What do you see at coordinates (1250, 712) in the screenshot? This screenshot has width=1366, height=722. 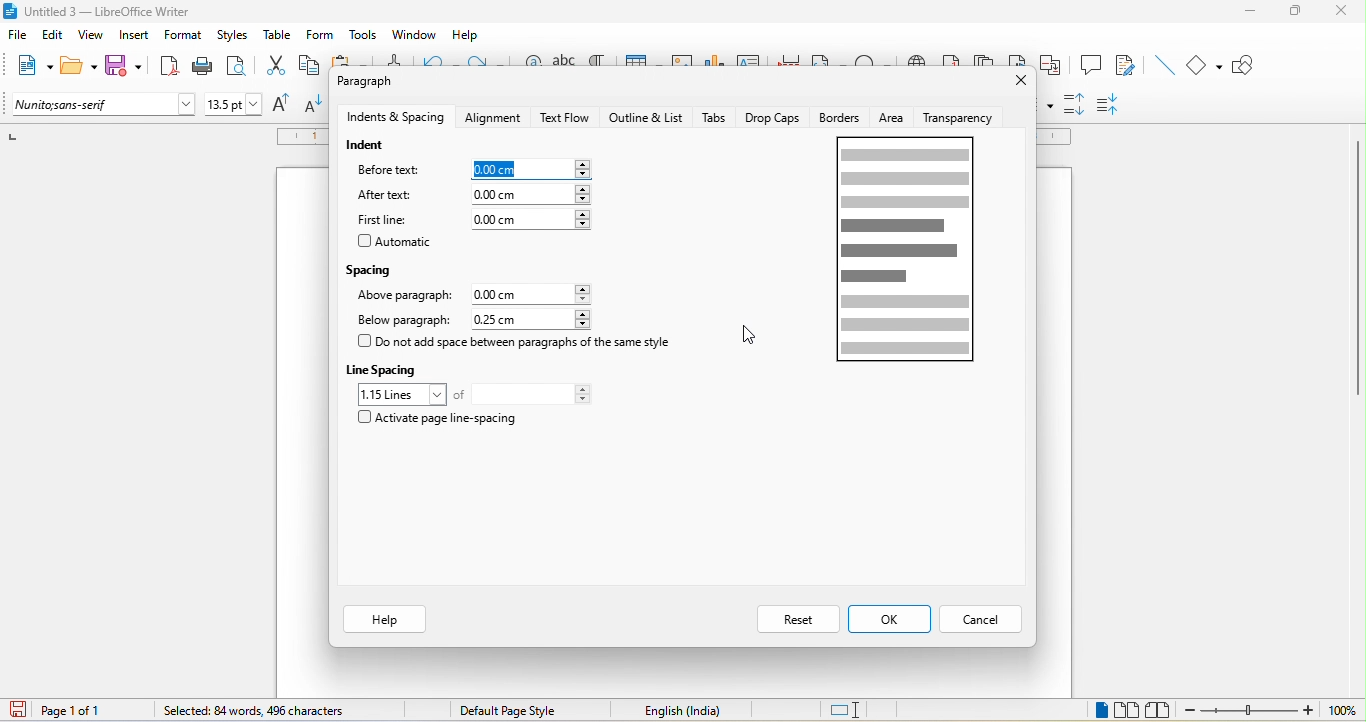 I see `zoom` at bounding box center [1250, 712].